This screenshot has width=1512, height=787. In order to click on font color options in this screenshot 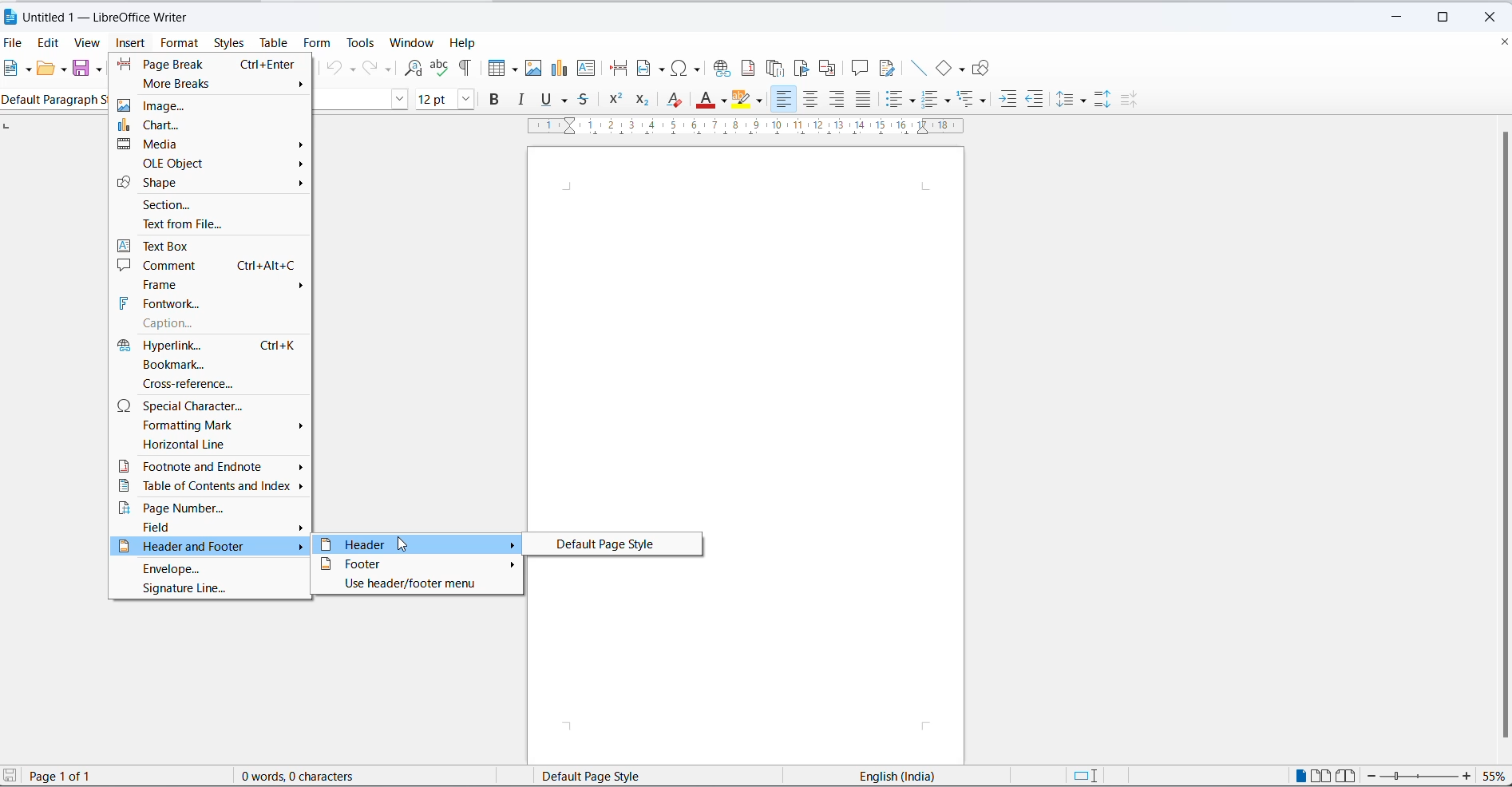, I will do `click(726, 103)`.